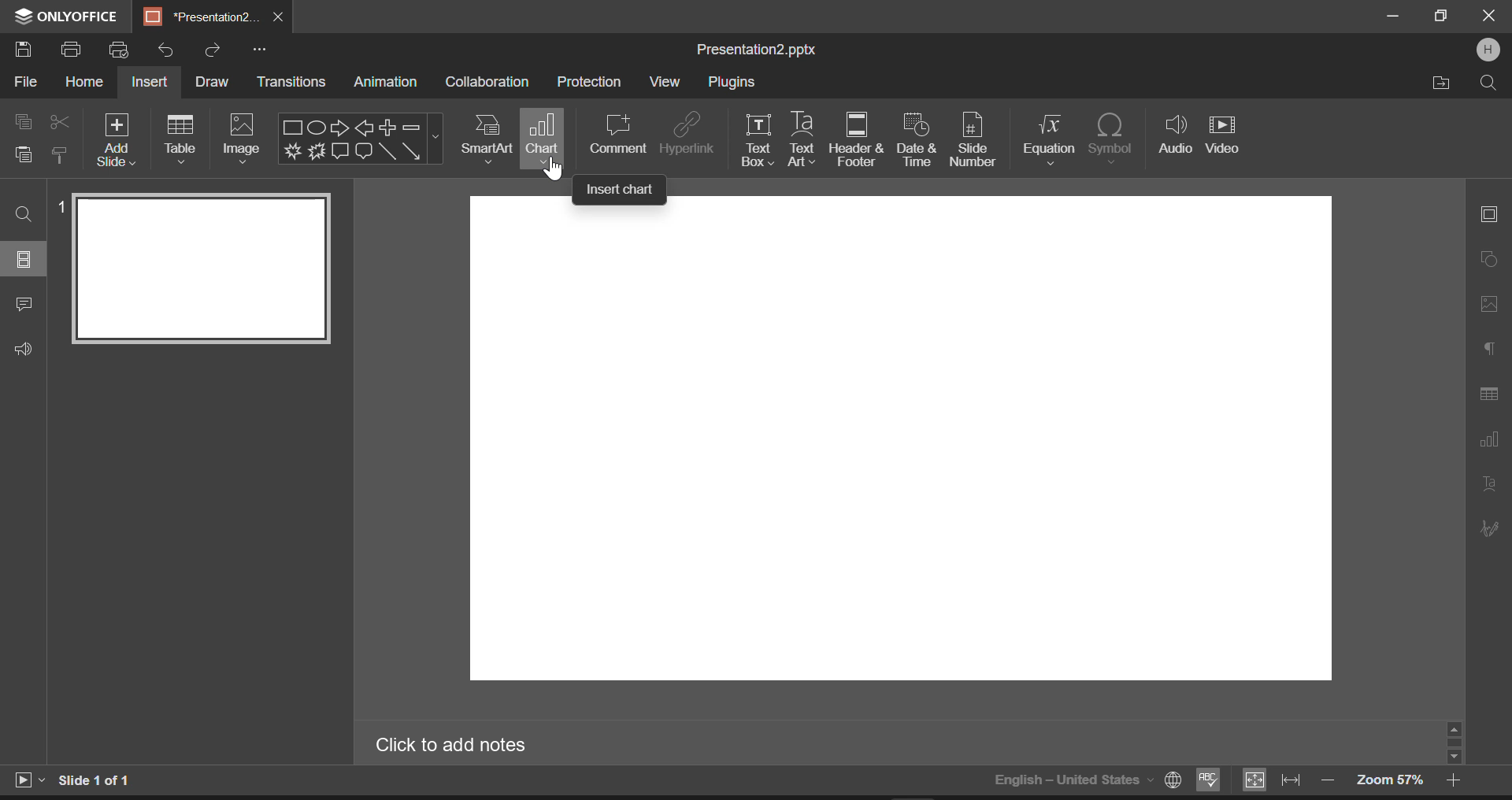 This screenshot has height=800, width=1512. What do you see at coordinates (543, 139) in the screenshot?
I see `Chart` at bounding box center [543, 139].